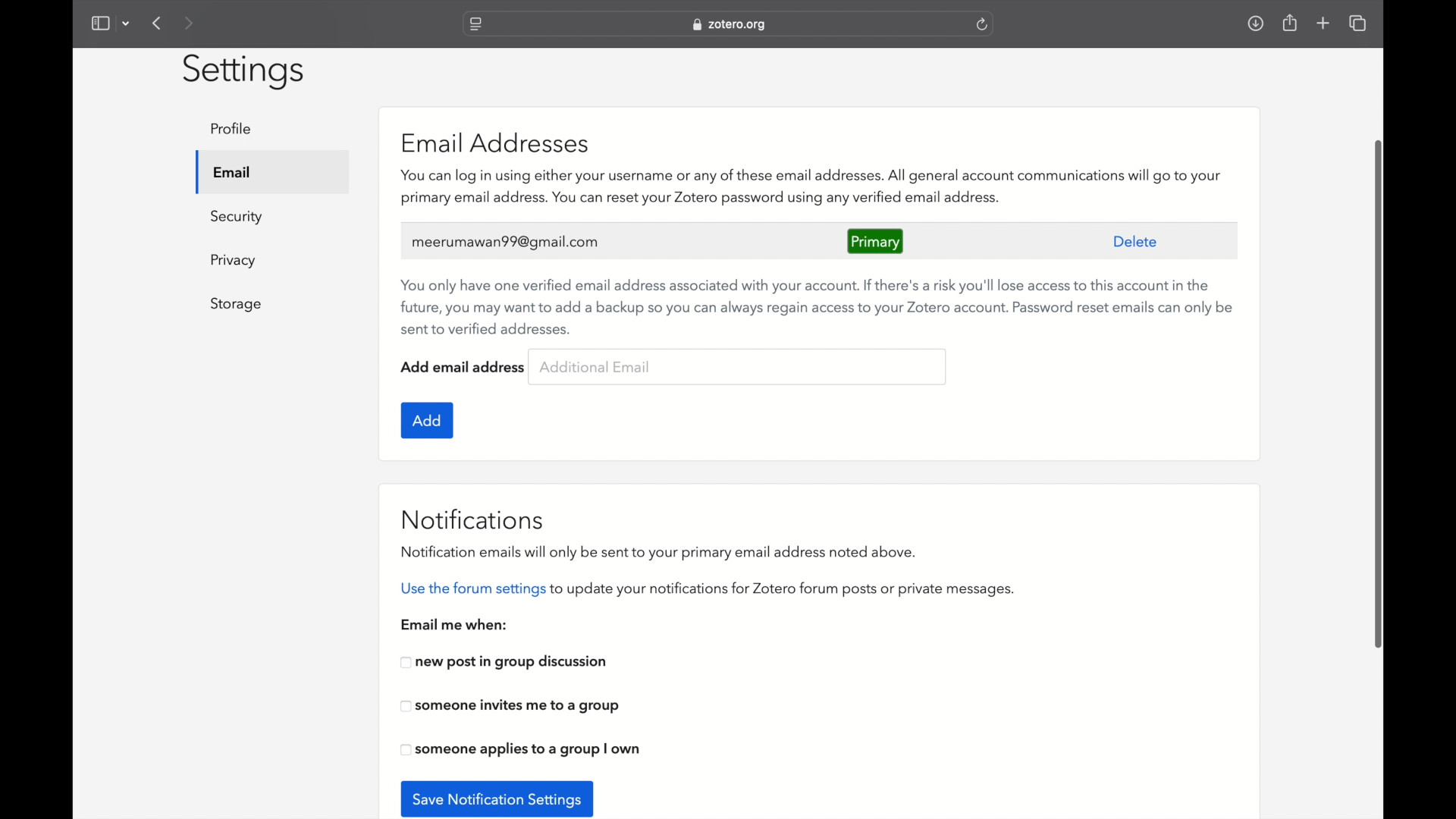 Image resolution: width=1456 pixels, height=819 pixels. I want to click on previous, so click(158, 24).